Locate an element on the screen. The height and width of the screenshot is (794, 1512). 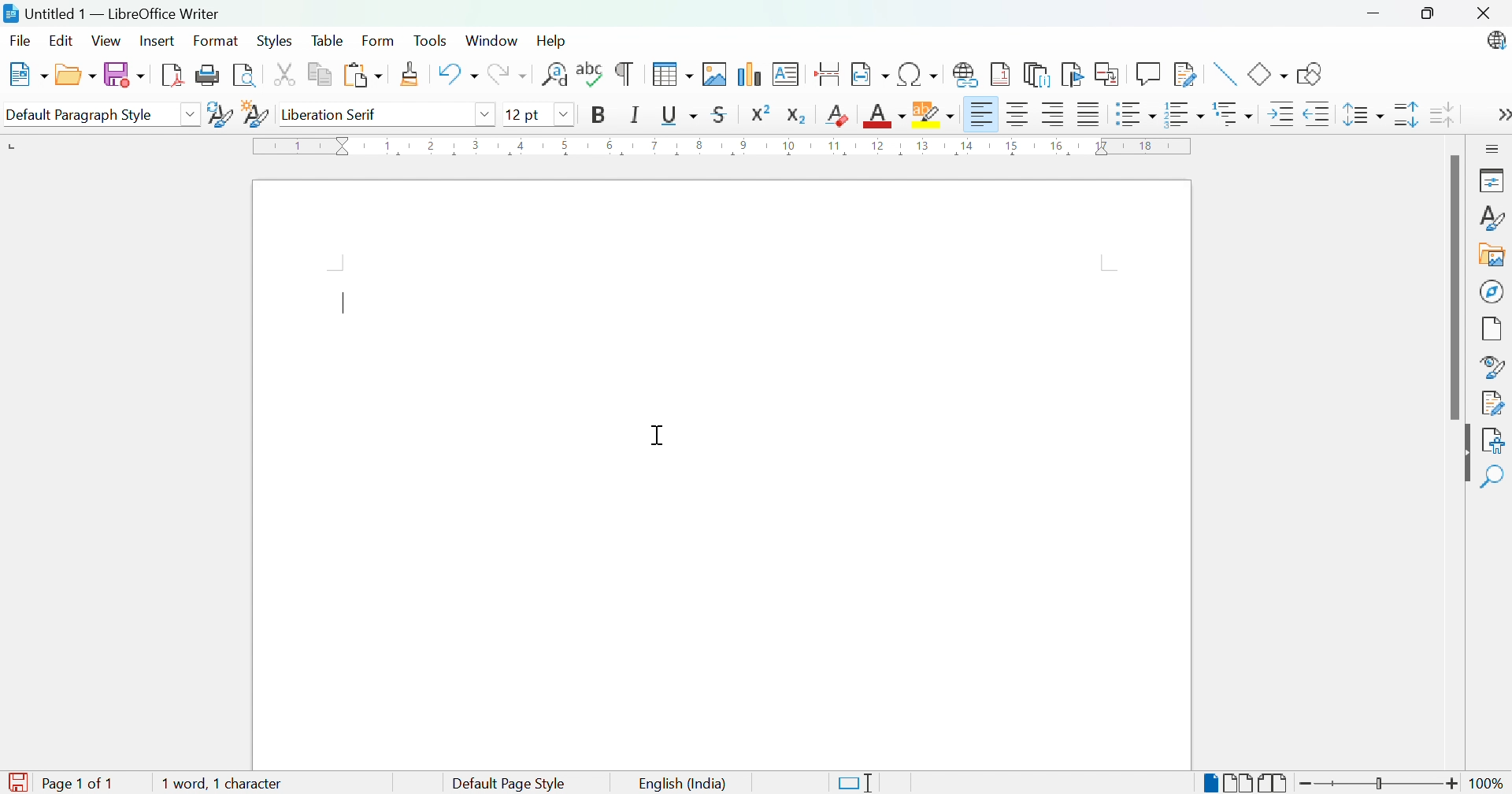
Toggle ordered list is located at coordinates (1185, 115).